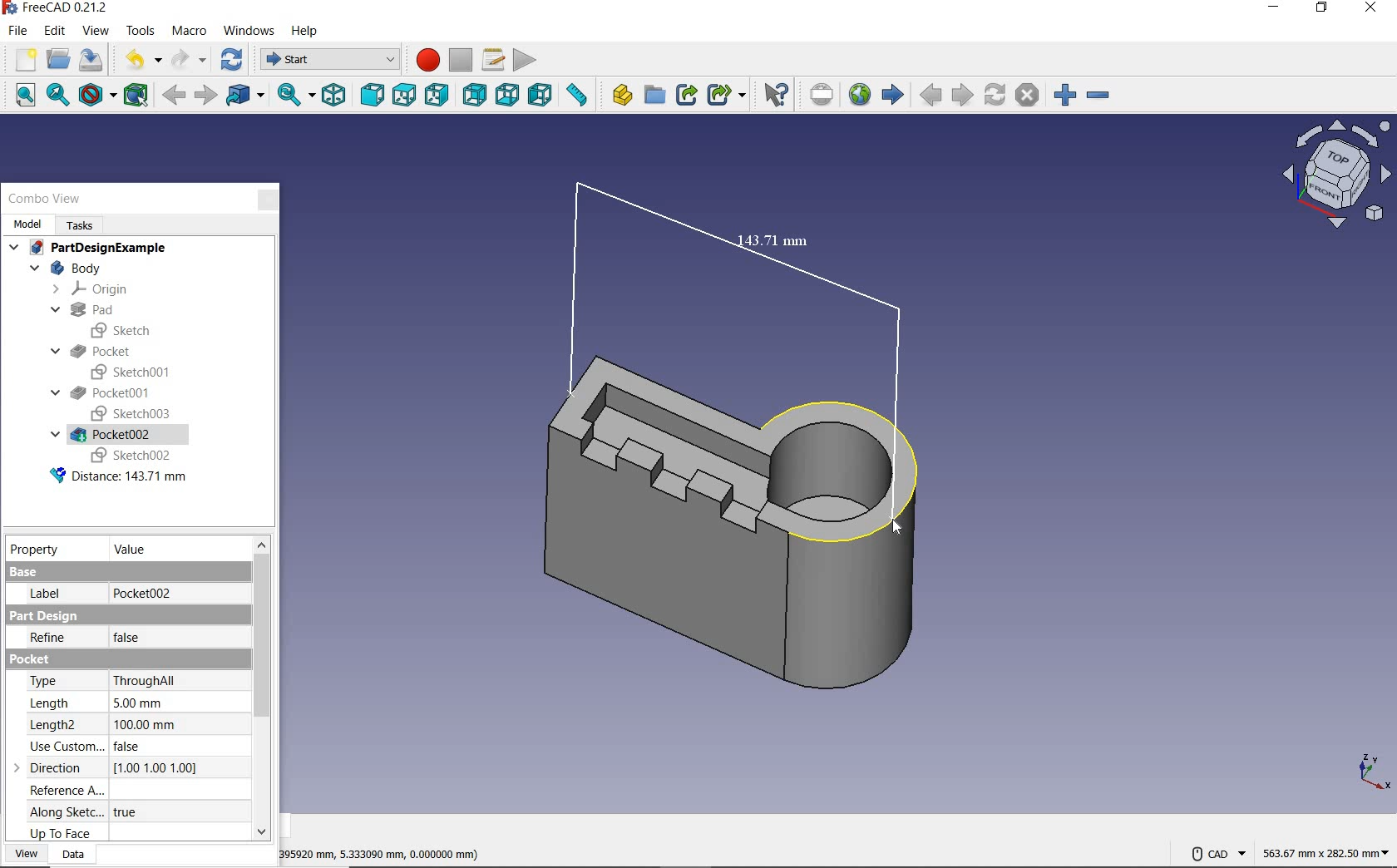  Describe the element at coordinates (1323, 11) in the screenshot. I see `restore down` at that location.